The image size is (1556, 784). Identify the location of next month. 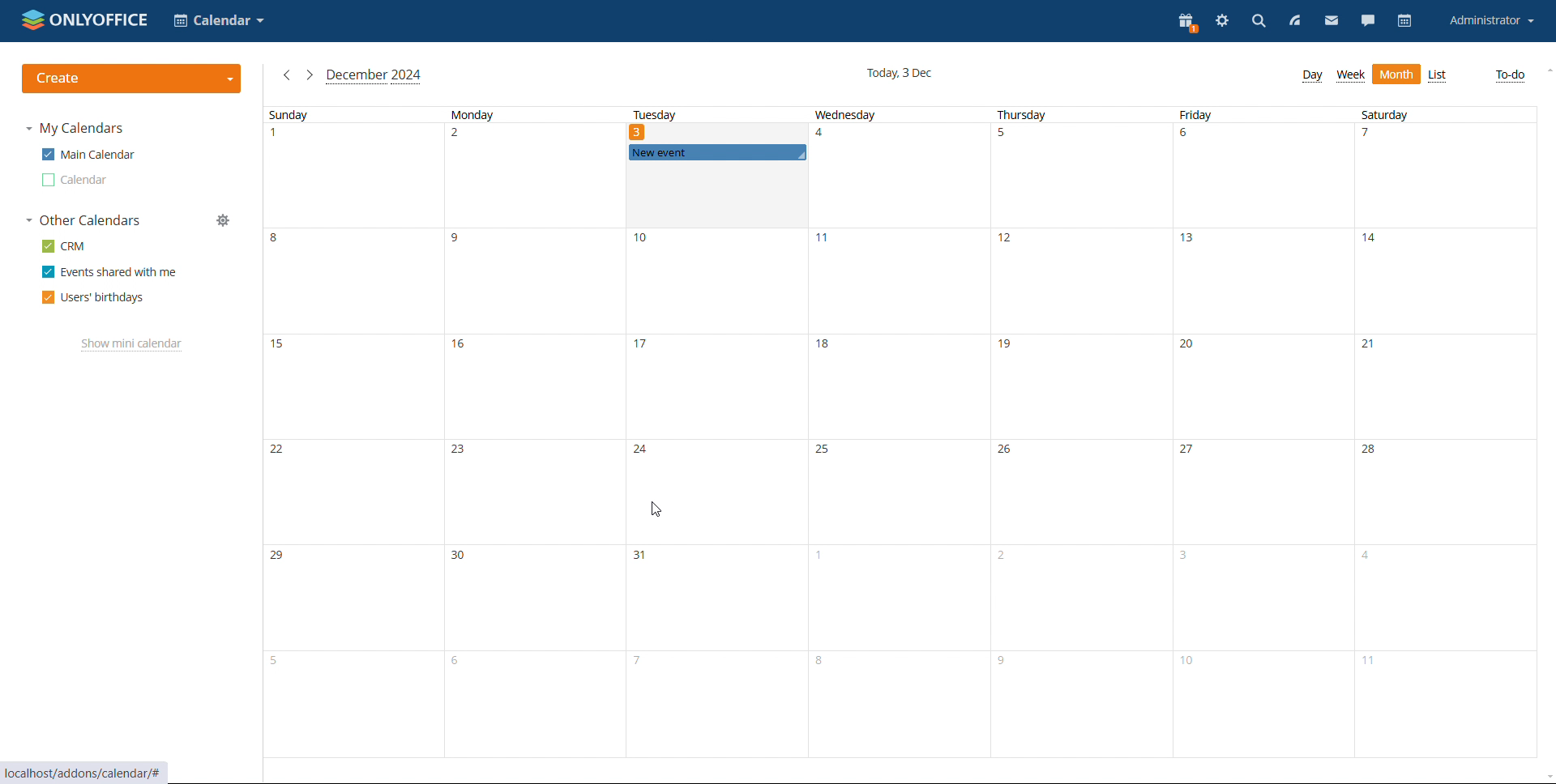
(309, 75).